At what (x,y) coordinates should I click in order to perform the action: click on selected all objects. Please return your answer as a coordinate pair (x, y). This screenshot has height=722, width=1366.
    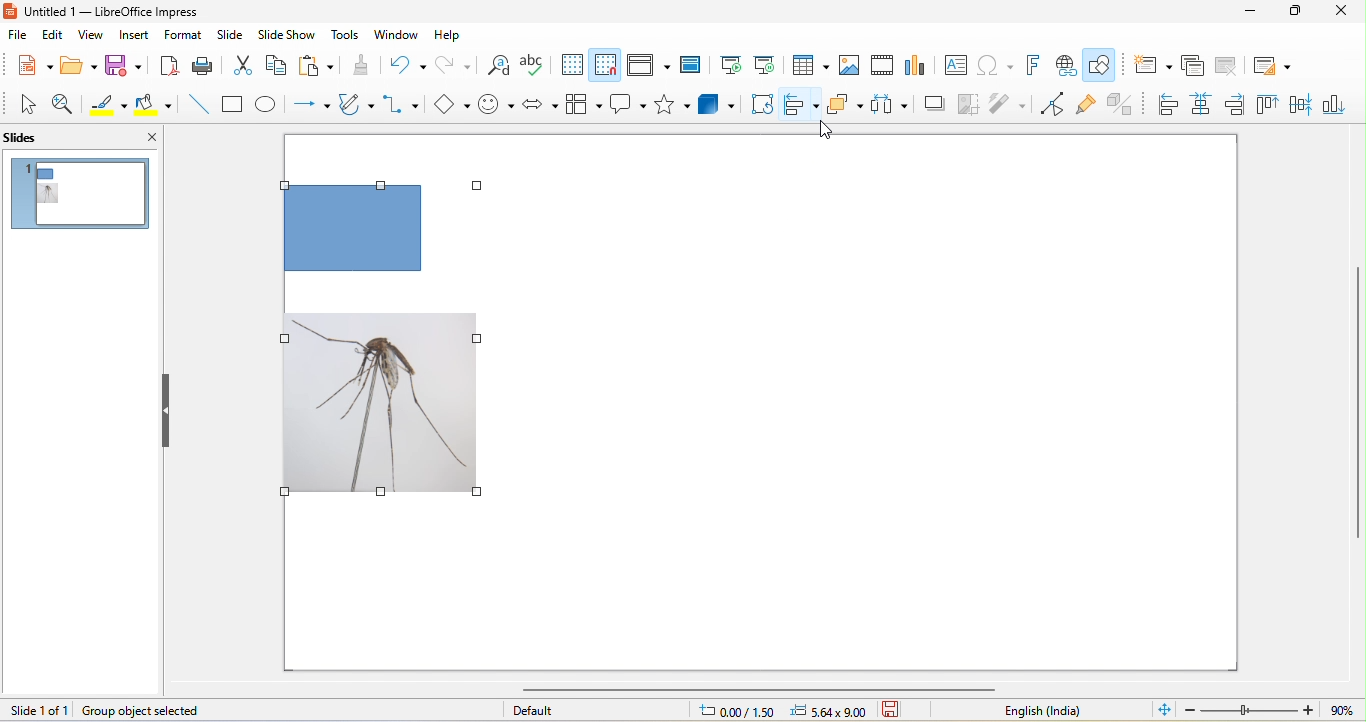
    Looking at the image, I should click on (395, 335).